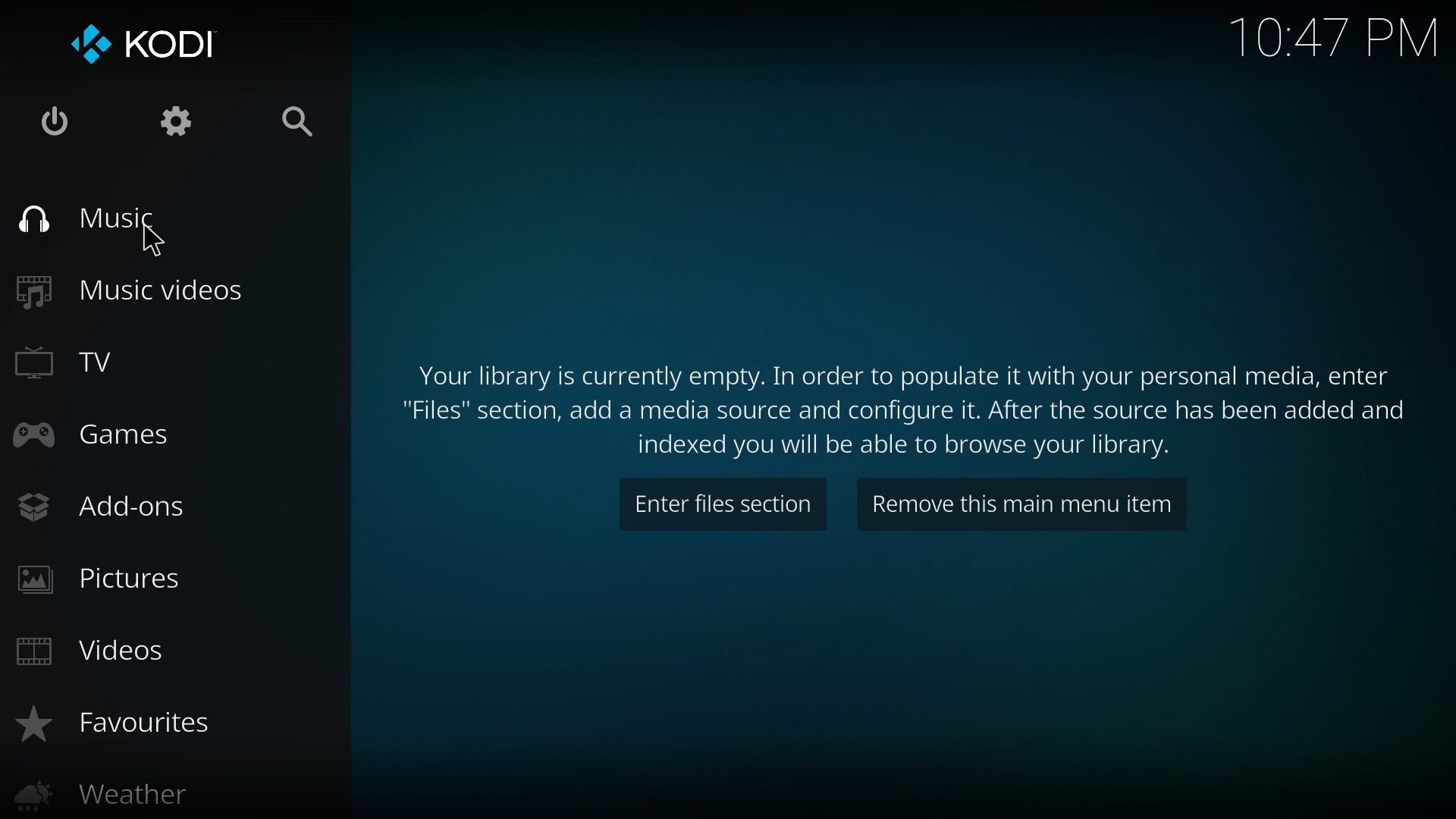 Image resolution: width=1456 pixels, height=819 pixels. I want to click on close, so click(62, 120).